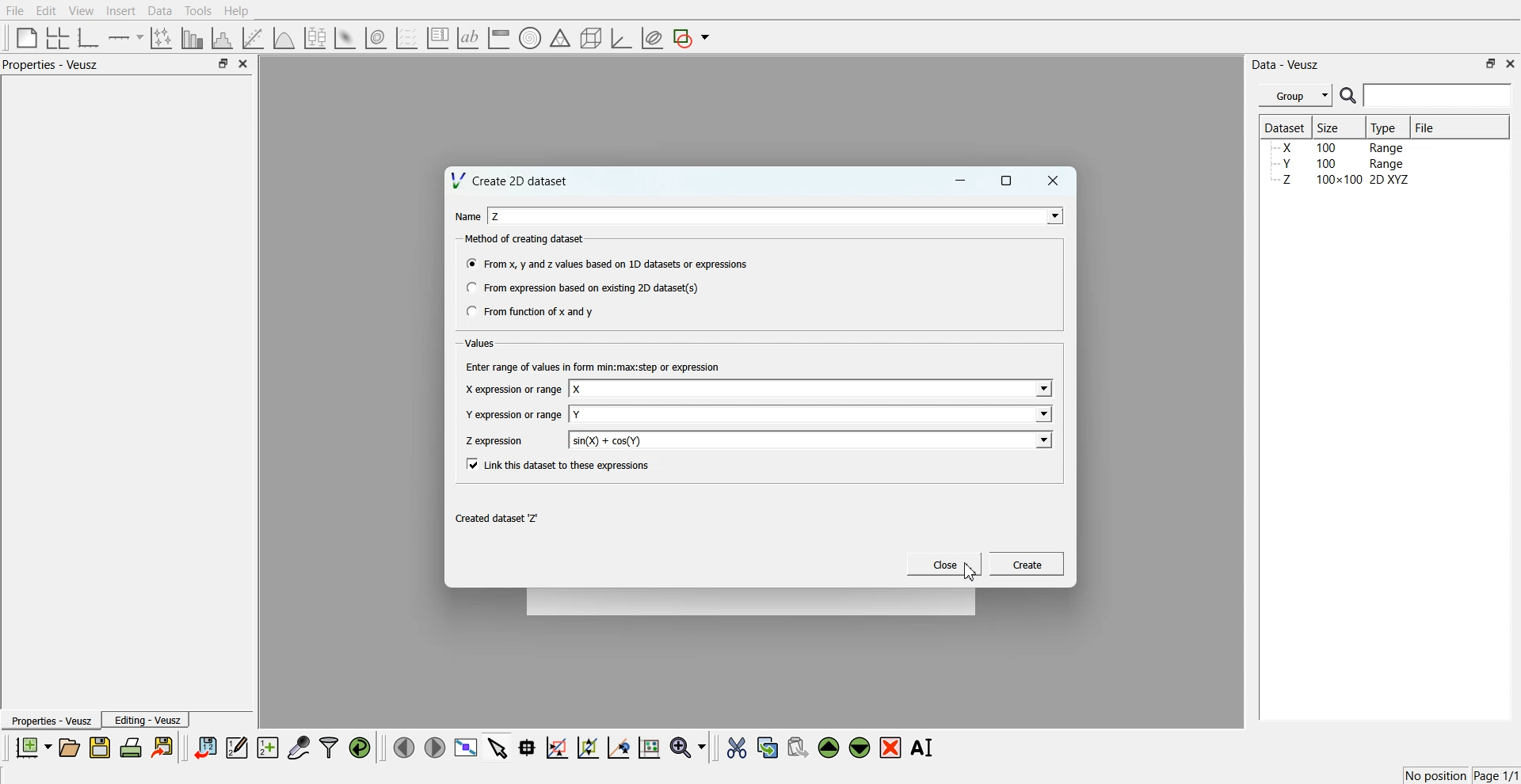 The height and width of the screenshot is (784, 1521). What do you see at coordinates (813, 413) in the screenshot?
I see `Enter name` at bounding box center [813, 413].